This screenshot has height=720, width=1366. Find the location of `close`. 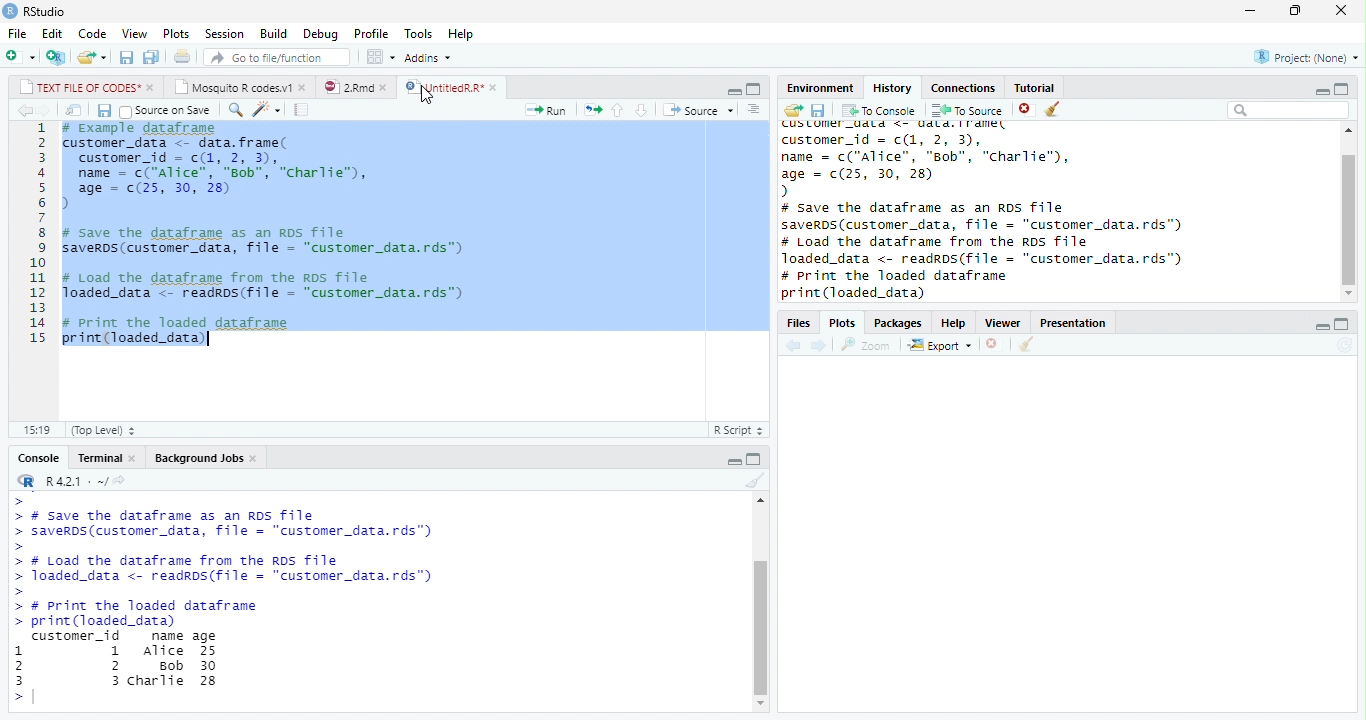

close is located at coordinates (151, 88).